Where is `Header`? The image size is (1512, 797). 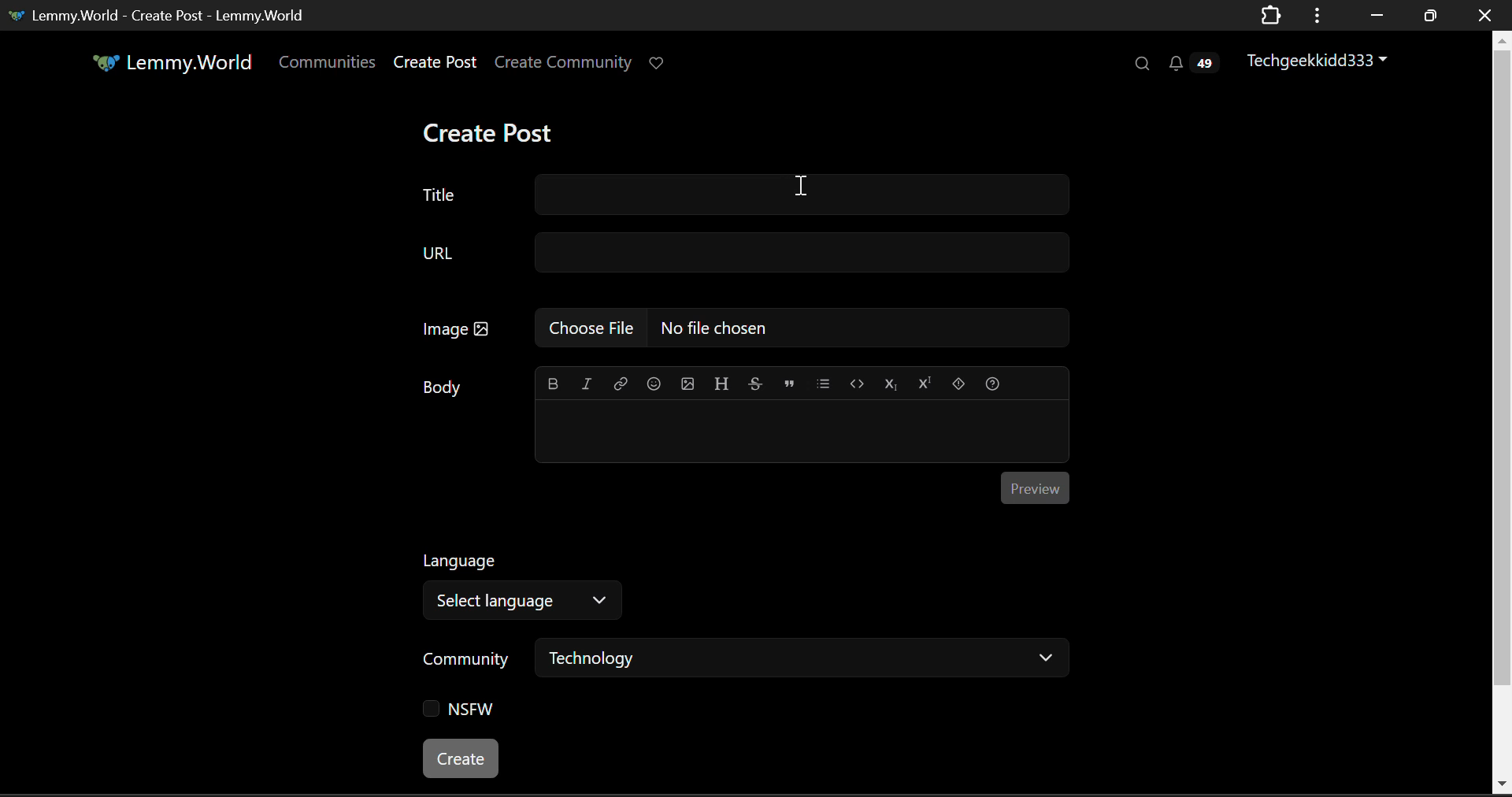
Header is located at coordinates (721, 384).